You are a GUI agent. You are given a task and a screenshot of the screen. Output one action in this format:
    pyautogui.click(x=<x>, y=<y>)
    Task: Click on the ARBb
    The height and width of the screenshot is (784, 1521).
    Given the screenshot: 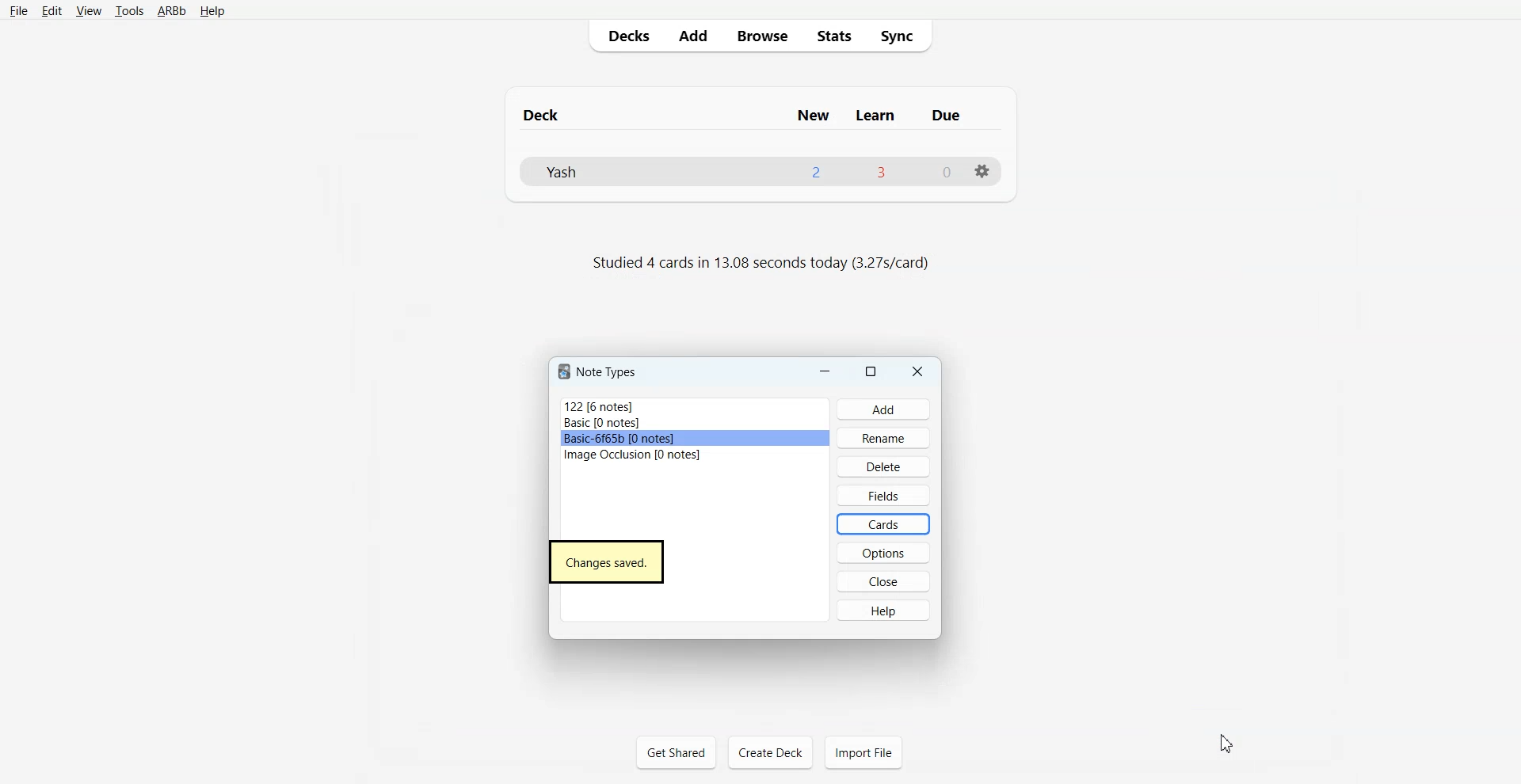 What is the action you would take?
    pyautogui.click(x=172, y=11)
    